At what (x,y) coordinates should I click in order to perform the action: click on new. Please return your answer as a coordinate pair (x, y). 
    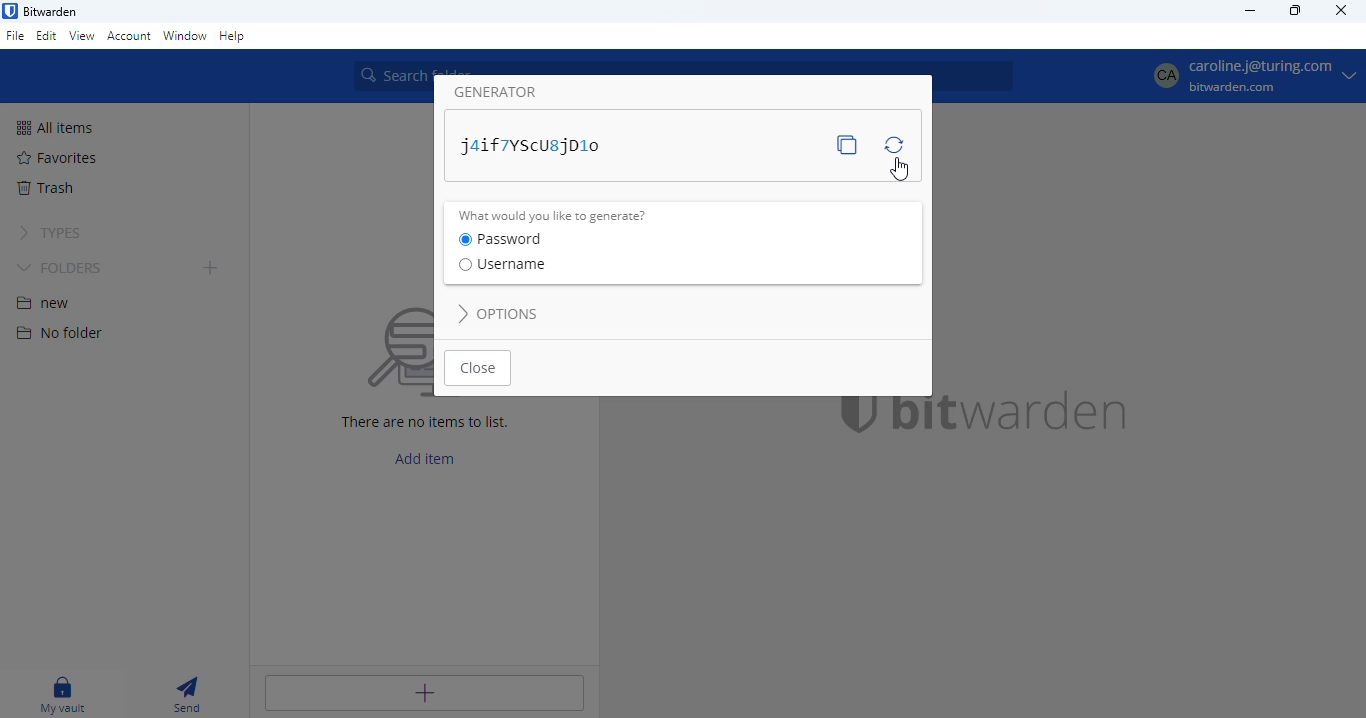
    Looking at the image, I should click on (44, 303).